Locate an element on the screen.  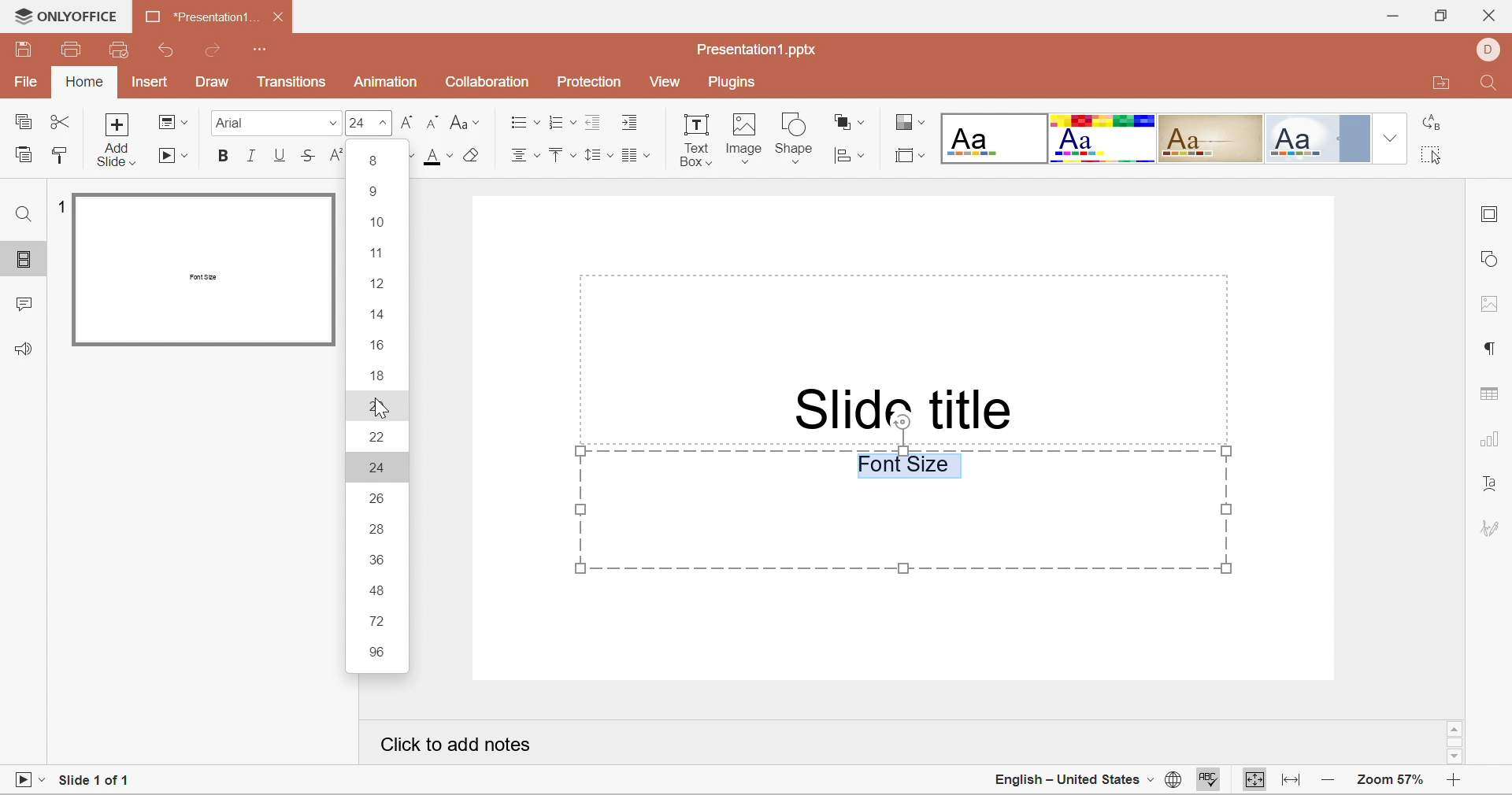
Decrease indent is located at coordinates (593, 124).